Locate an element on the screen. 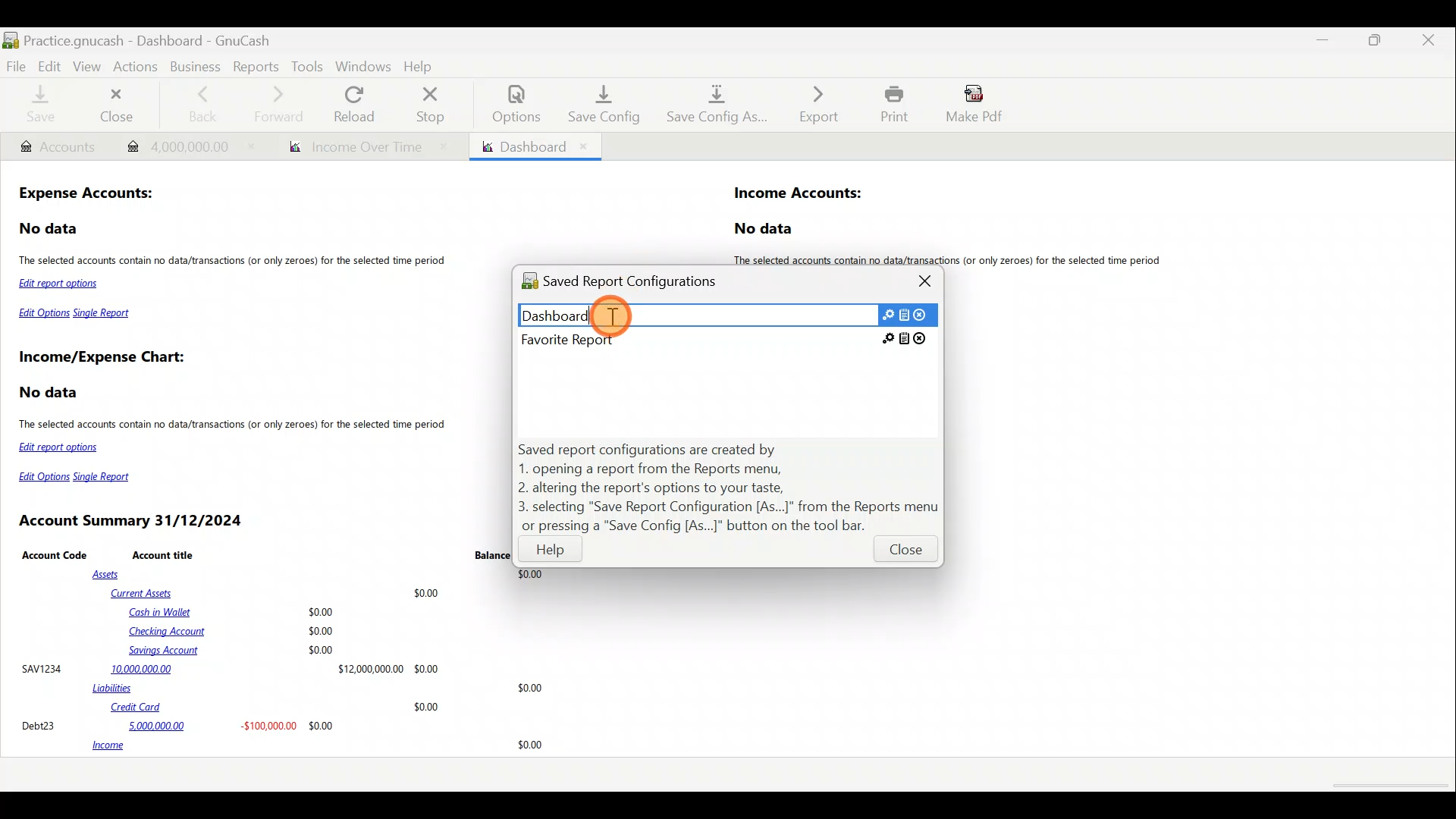 The width and height of the screenshot is (1456, 819). Saved report 1 is located at coordinates (727, 314).